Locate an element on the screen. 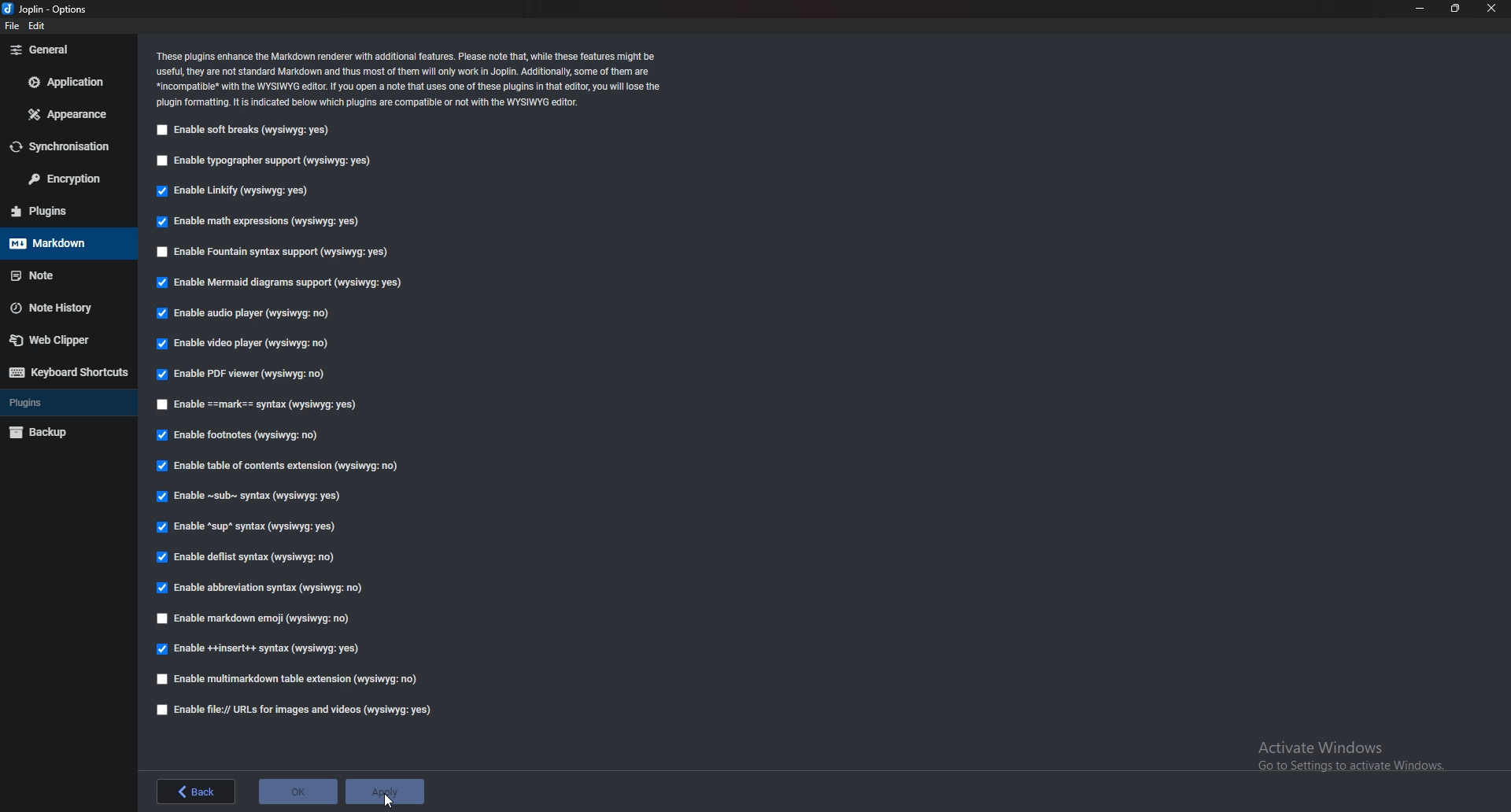 This screenshot has height=812, width=1511. enable markdown emoji is located at coordinates (259, 617).